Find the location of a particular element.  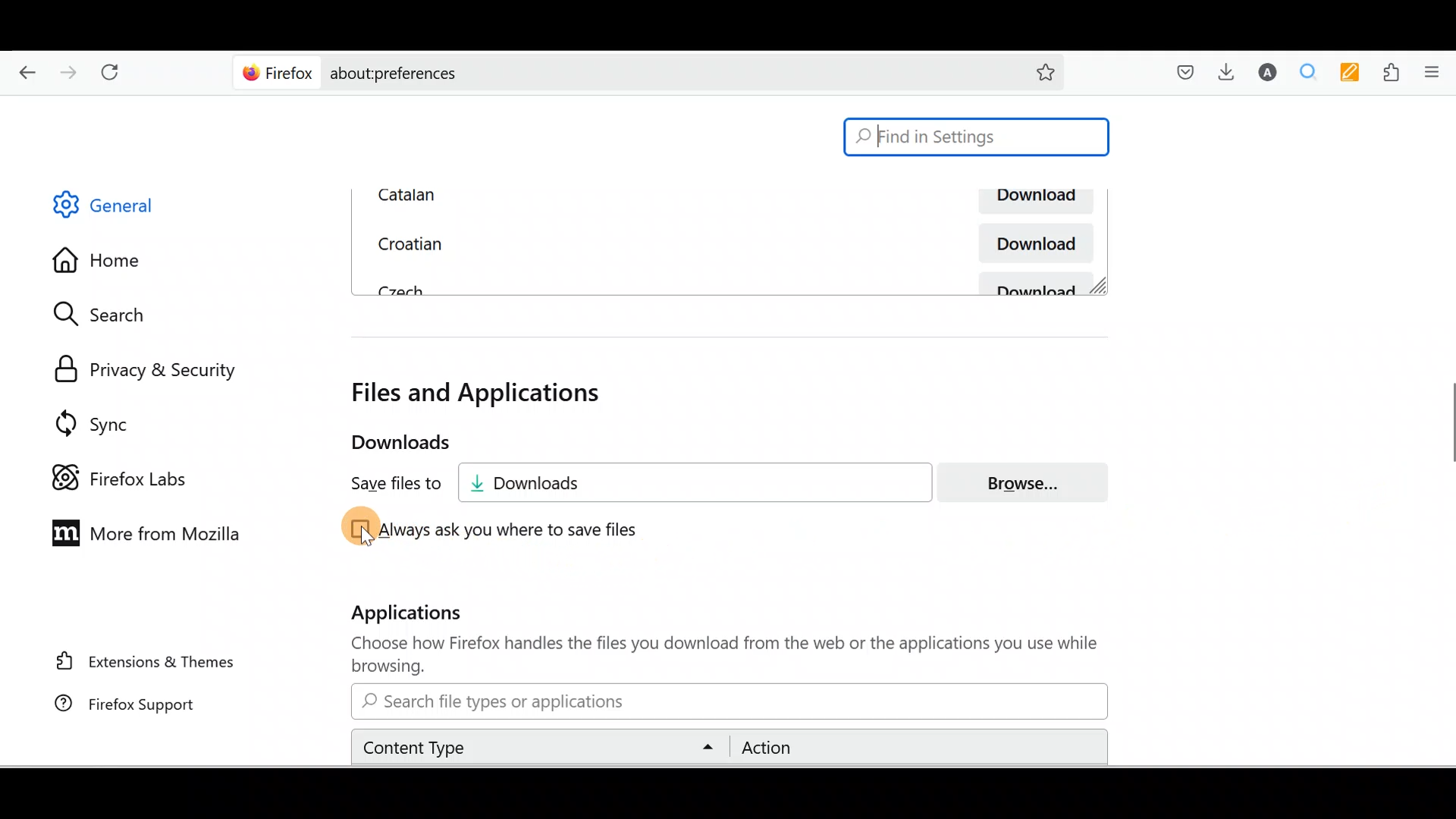

Mouse up - scroll bar is located at coordinates (1439, 433).